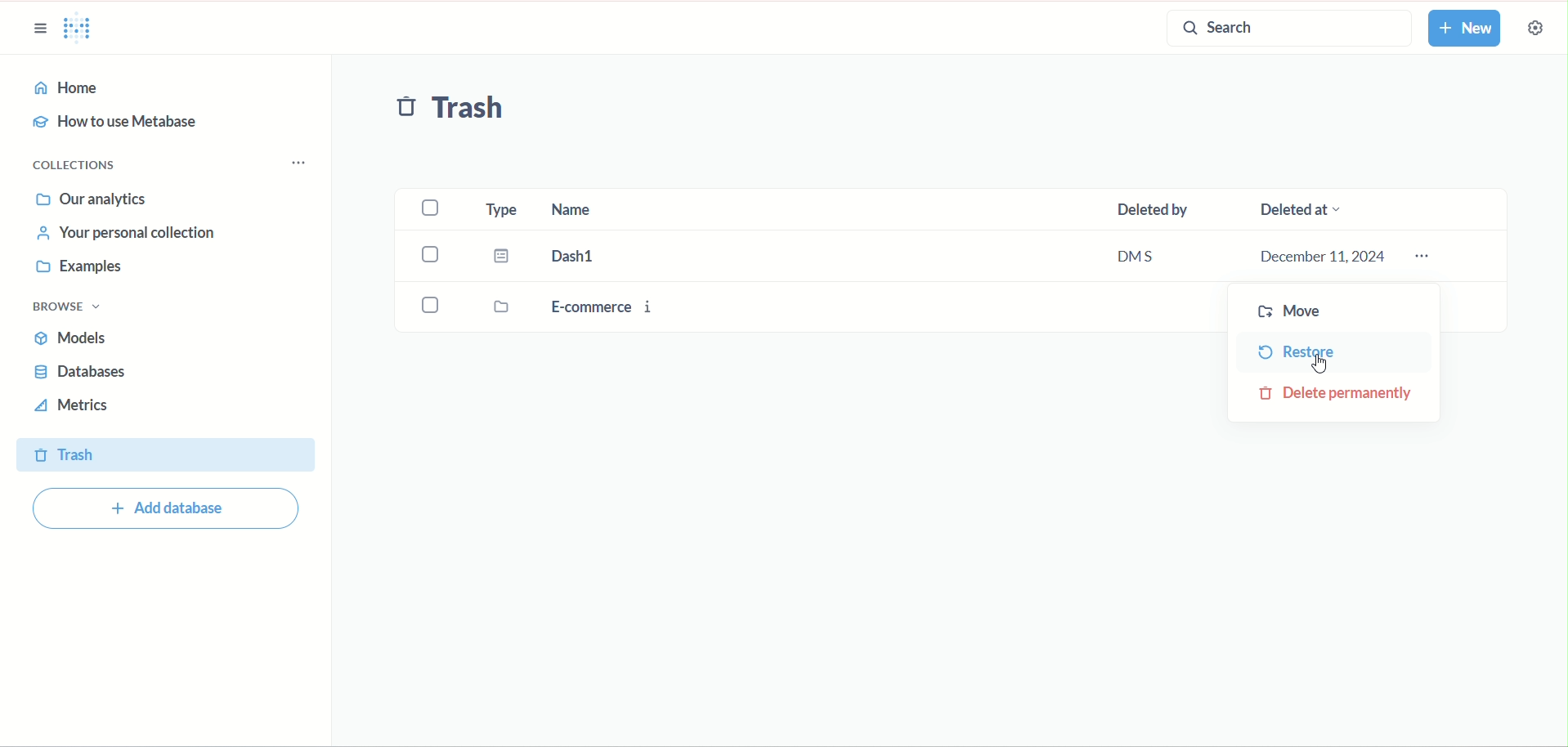 Image resolution: width=1568 pixels, height=747 pixels. Describe the element at coordinates (1324, 208) in the screenshot. I see `deleted at` at that location.